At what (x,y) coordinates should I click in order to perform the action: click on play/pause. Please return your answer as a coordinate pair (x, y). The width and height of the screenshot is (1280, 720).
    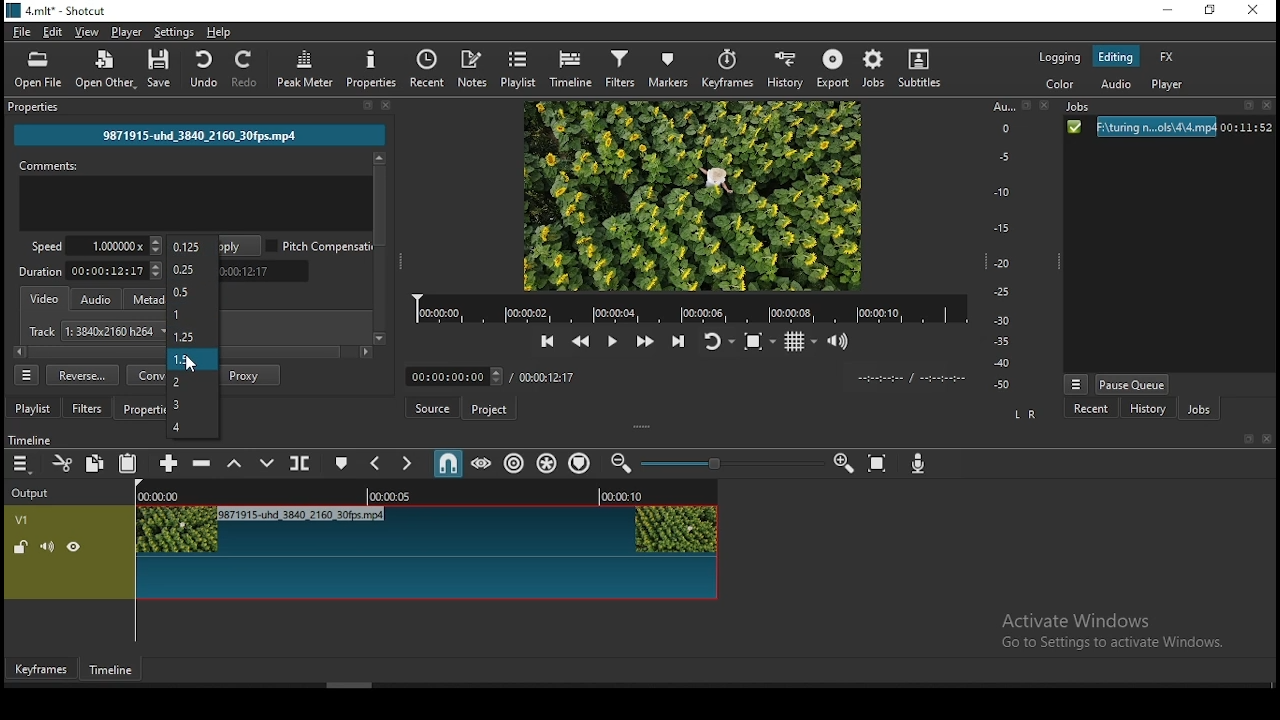
    Looking at the image, I should click on (611, 342).